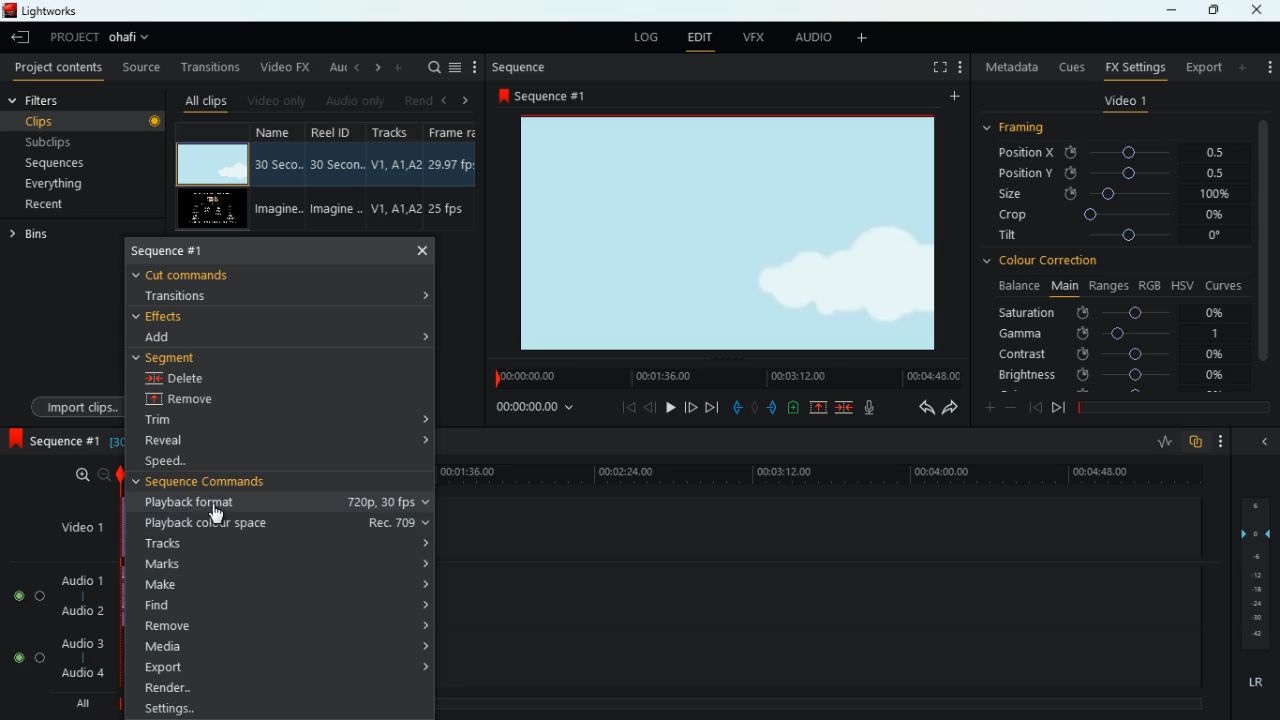 The image size is (1280, 720). What do you see at coordinates (1252, 576) in the screenshot?
I see `layers` at bounding box center [1252, 576].